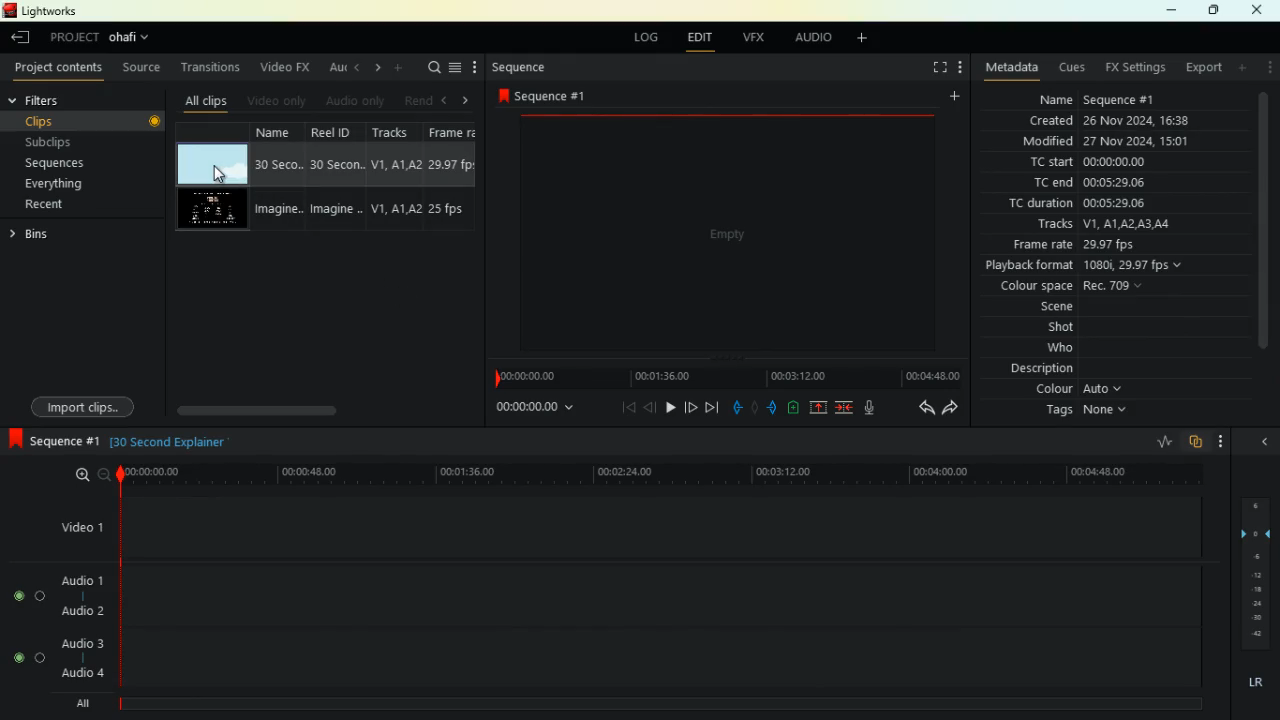 This screenshot has width=1280, height=720. What do you see at coordinates (434, 69) in the screenshot?
I see `search` at bounding box center [434, 69].